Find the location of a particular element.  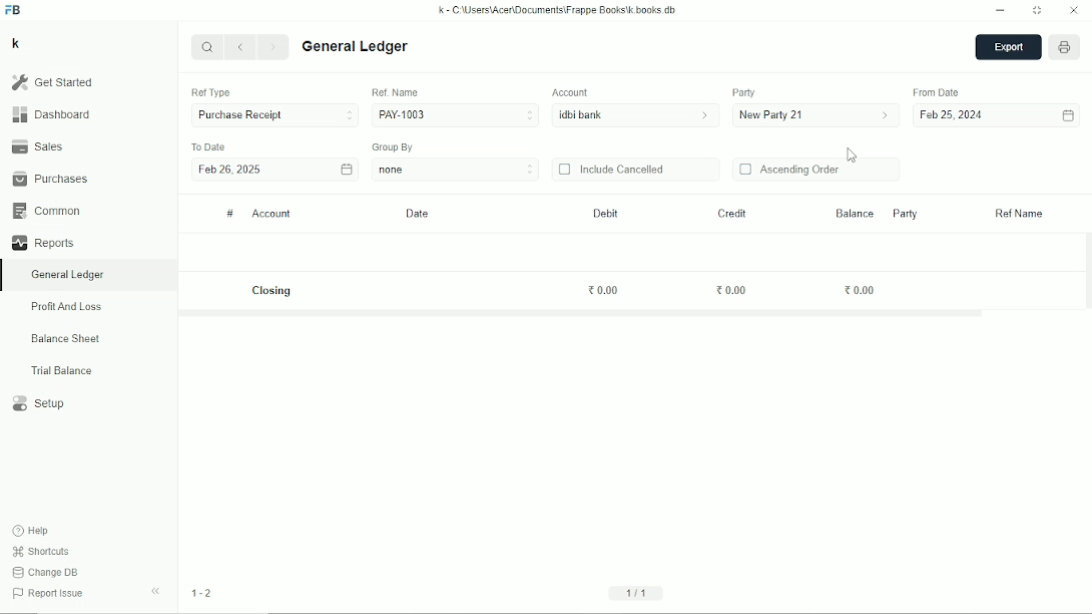

General ledger is located at coordinates (356, 47).